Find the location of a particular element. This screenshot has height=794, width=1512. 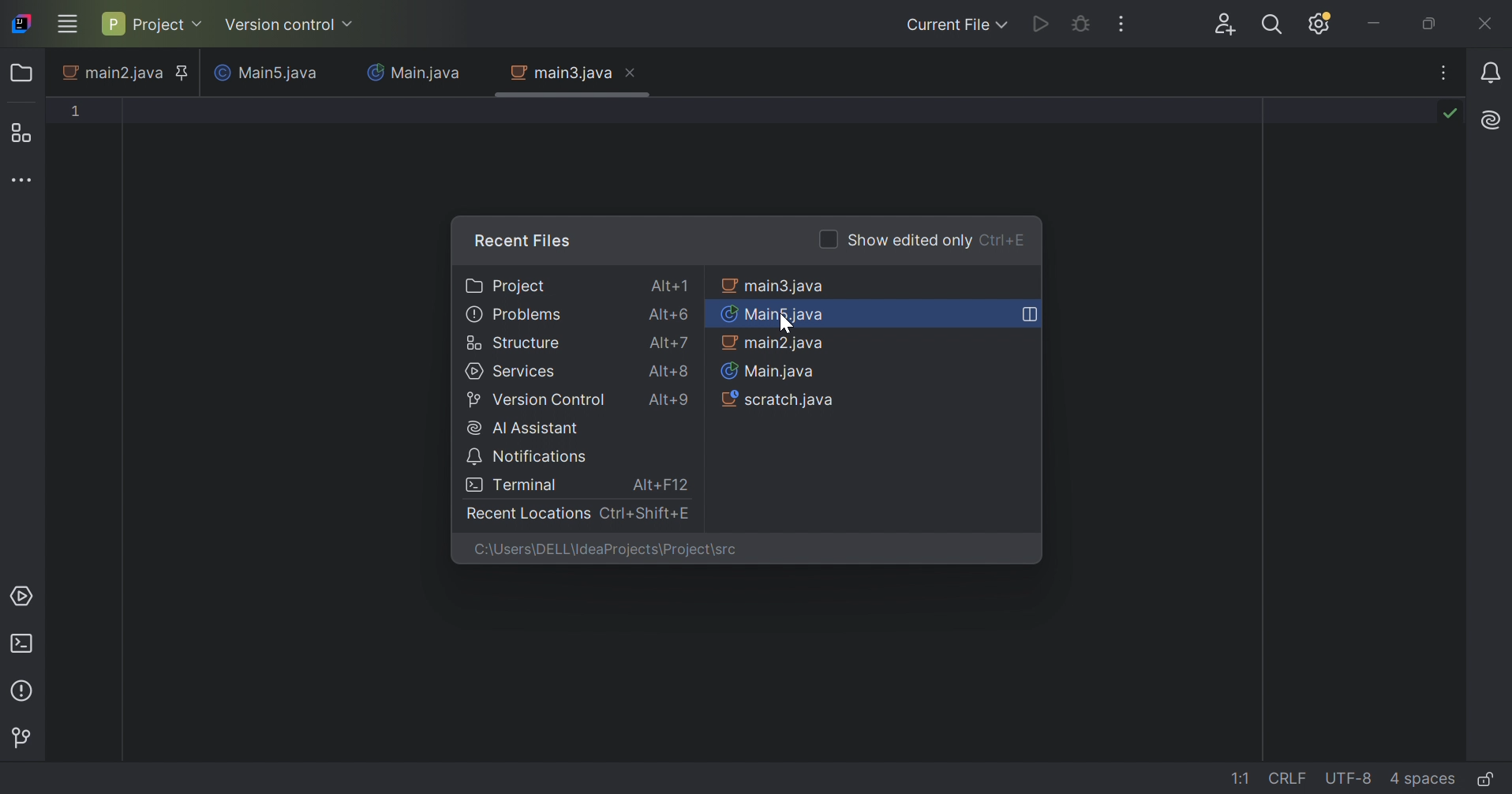

main2.java is located at coordinates (111, 73).